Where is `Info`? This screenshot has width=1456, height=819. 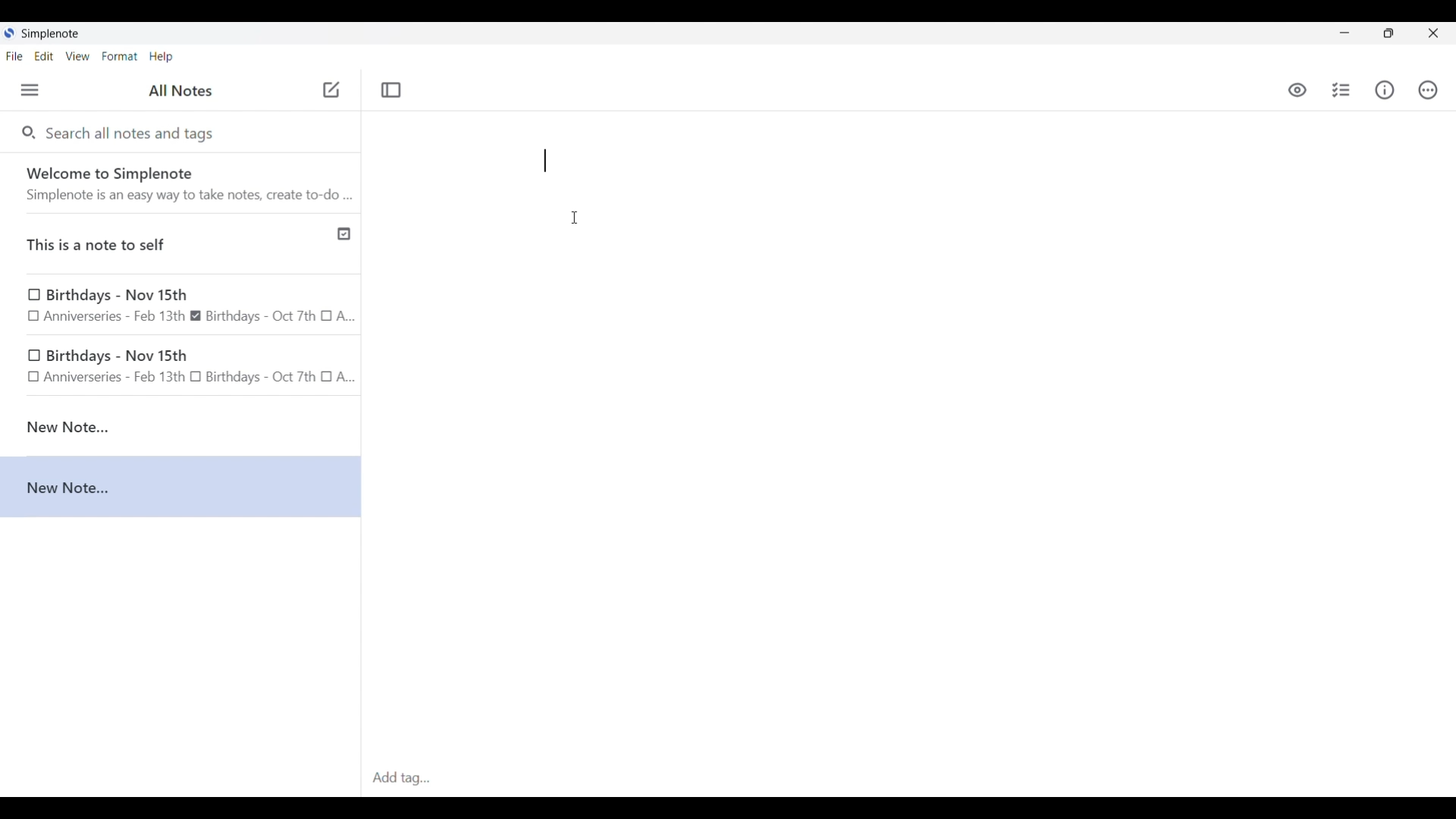 Info is located at coordinates (1385, 89).